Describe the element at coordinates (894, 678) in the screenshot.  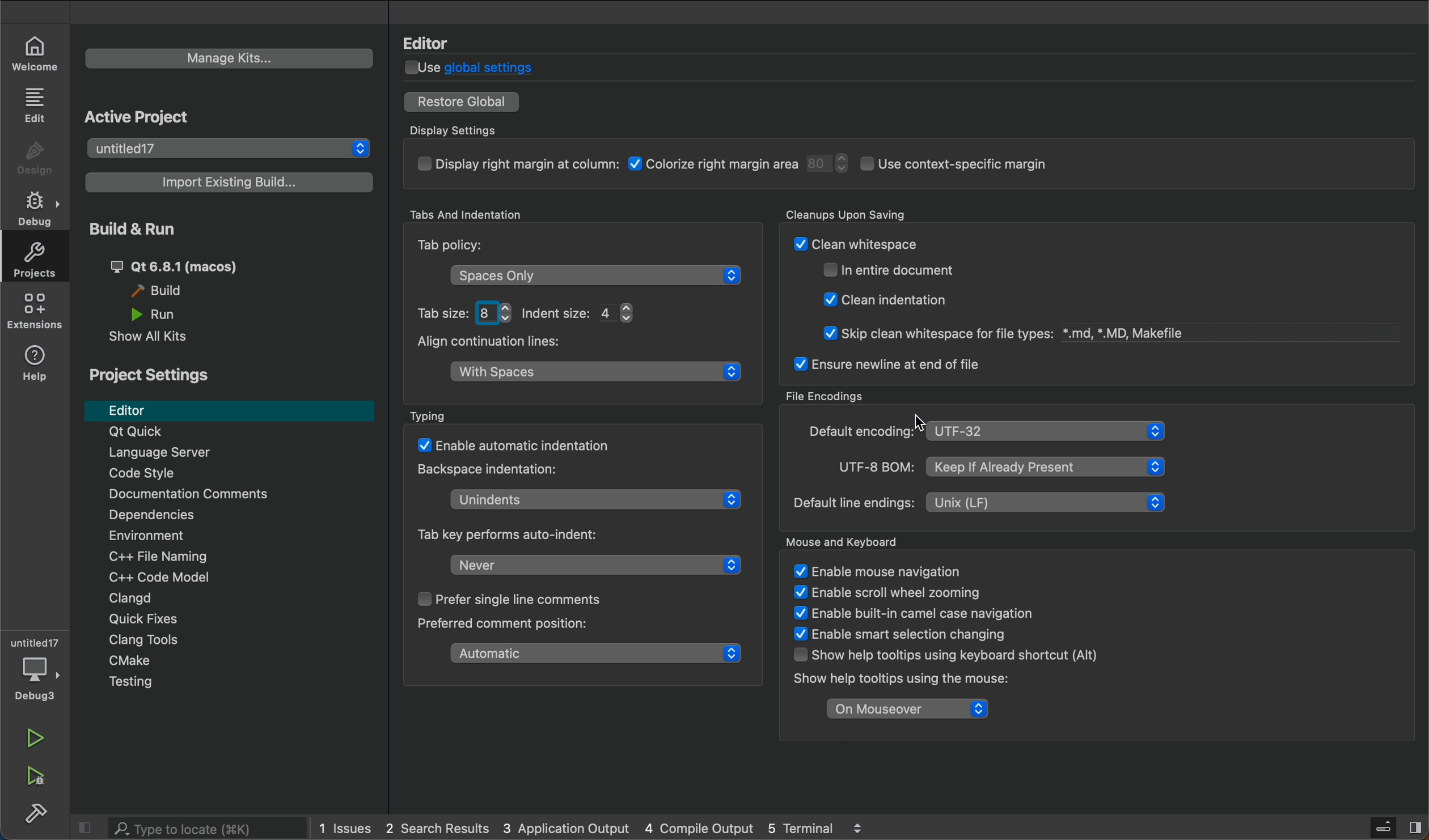
I see `Show help tooltips using the mouse:` at that location.